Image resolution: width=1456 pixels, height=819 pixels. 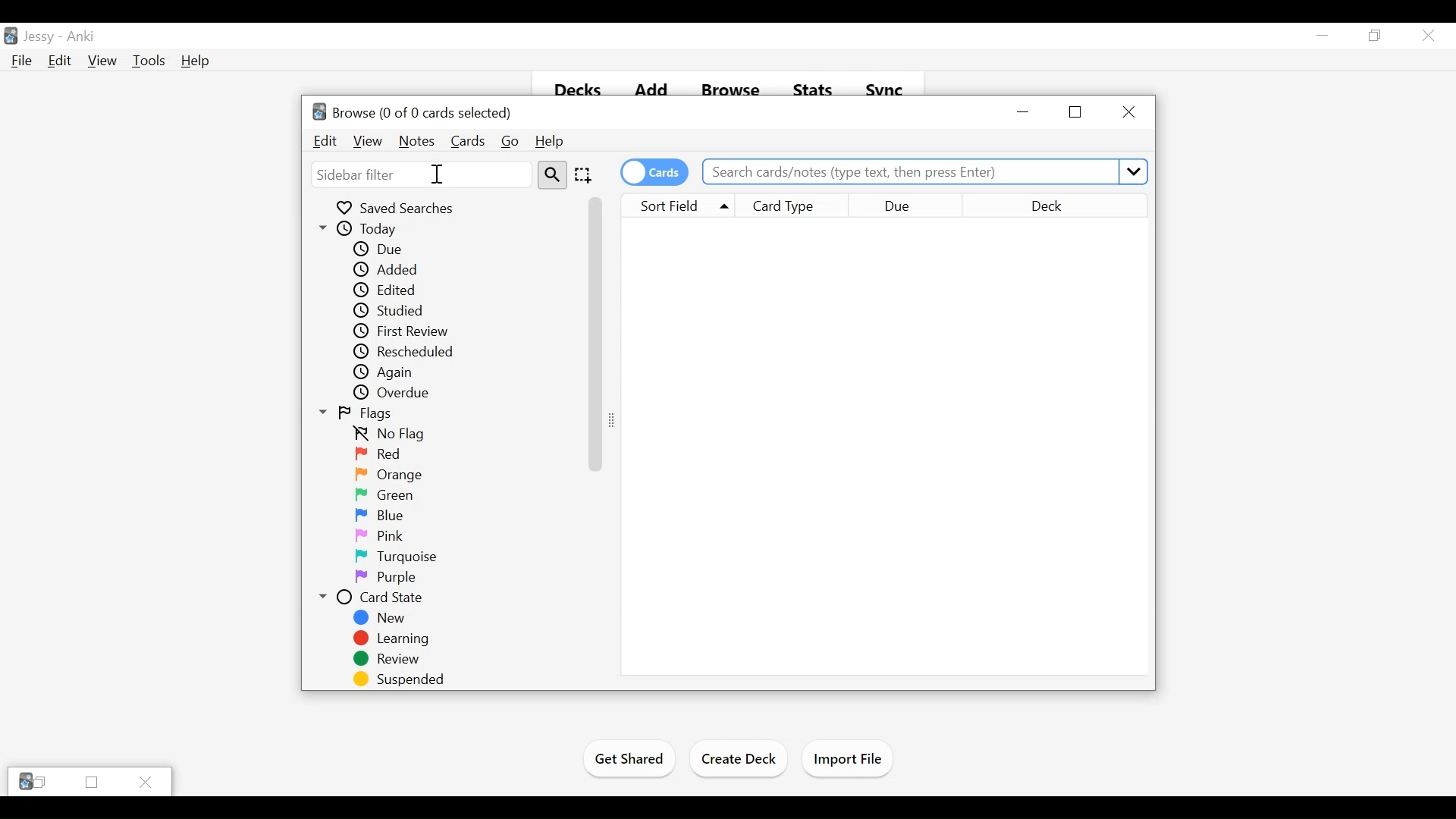 I want to click on Restore, so click(x=90, y=783).